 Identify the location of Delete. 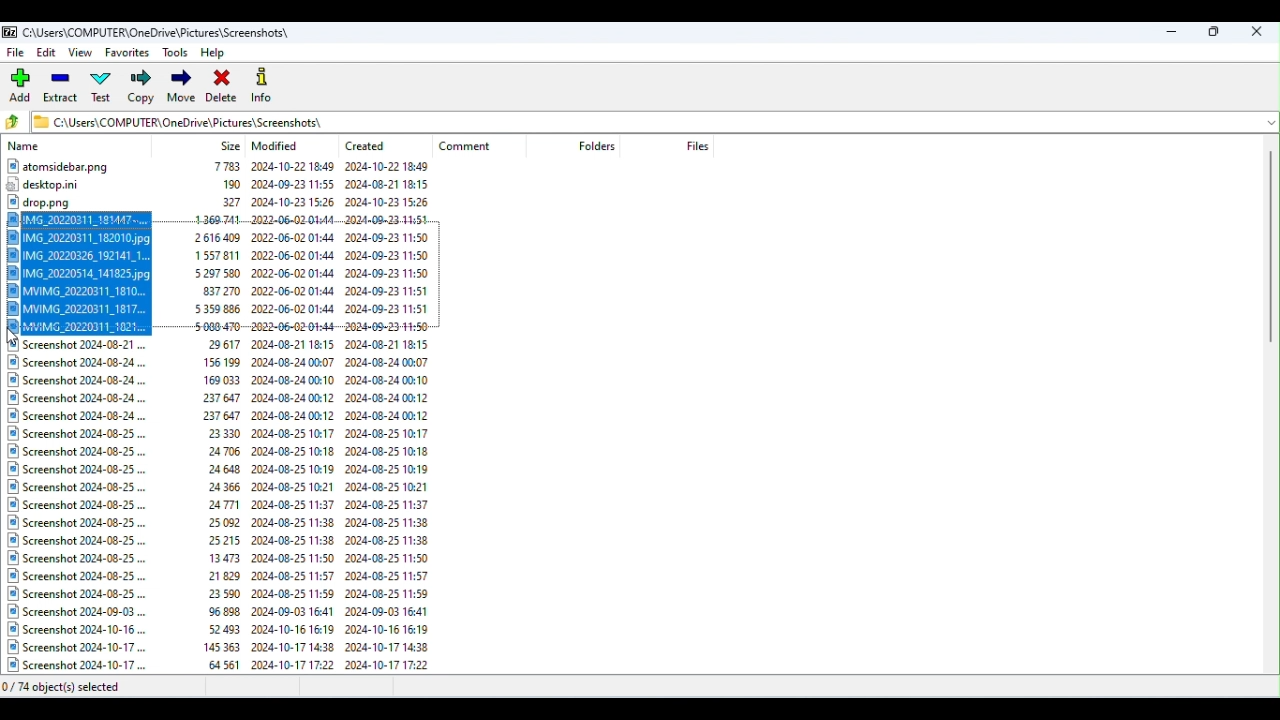
(223, 85).